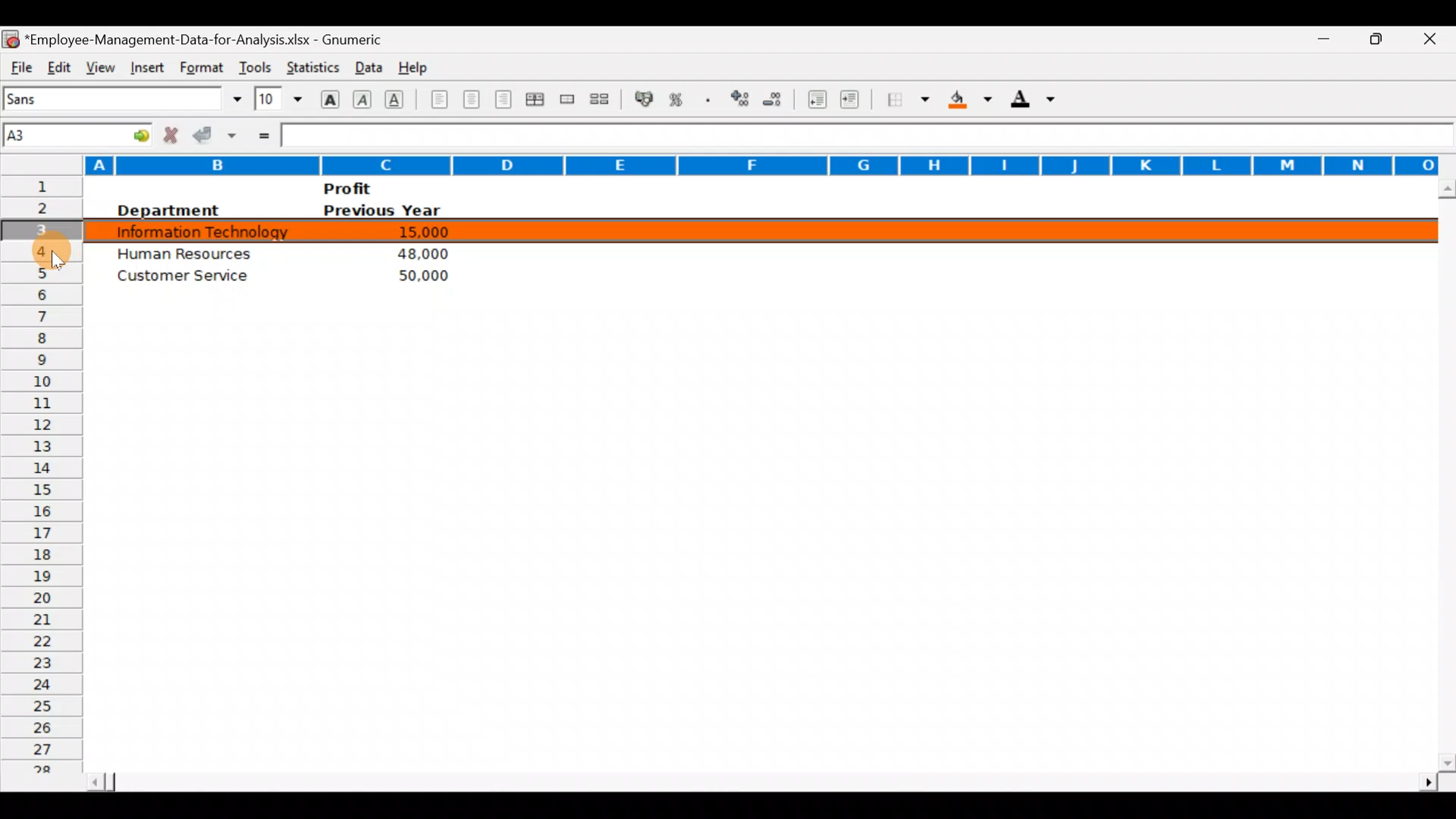 Image resolution: width=1456 pixels, height=819 pixels. Describe the element at coordinates (199, 67) in the screenshot. I see `Format` at that location.